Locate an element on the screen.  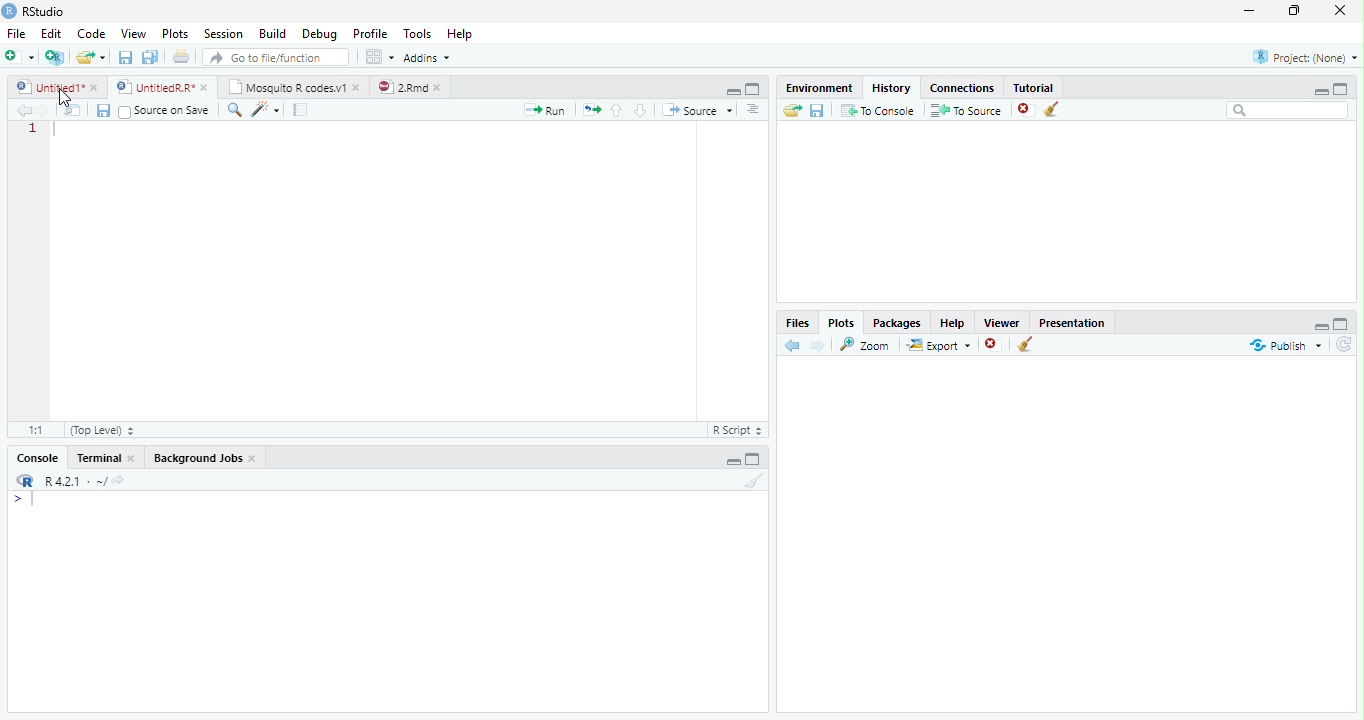
publish is located at coordinates (1285, 345).